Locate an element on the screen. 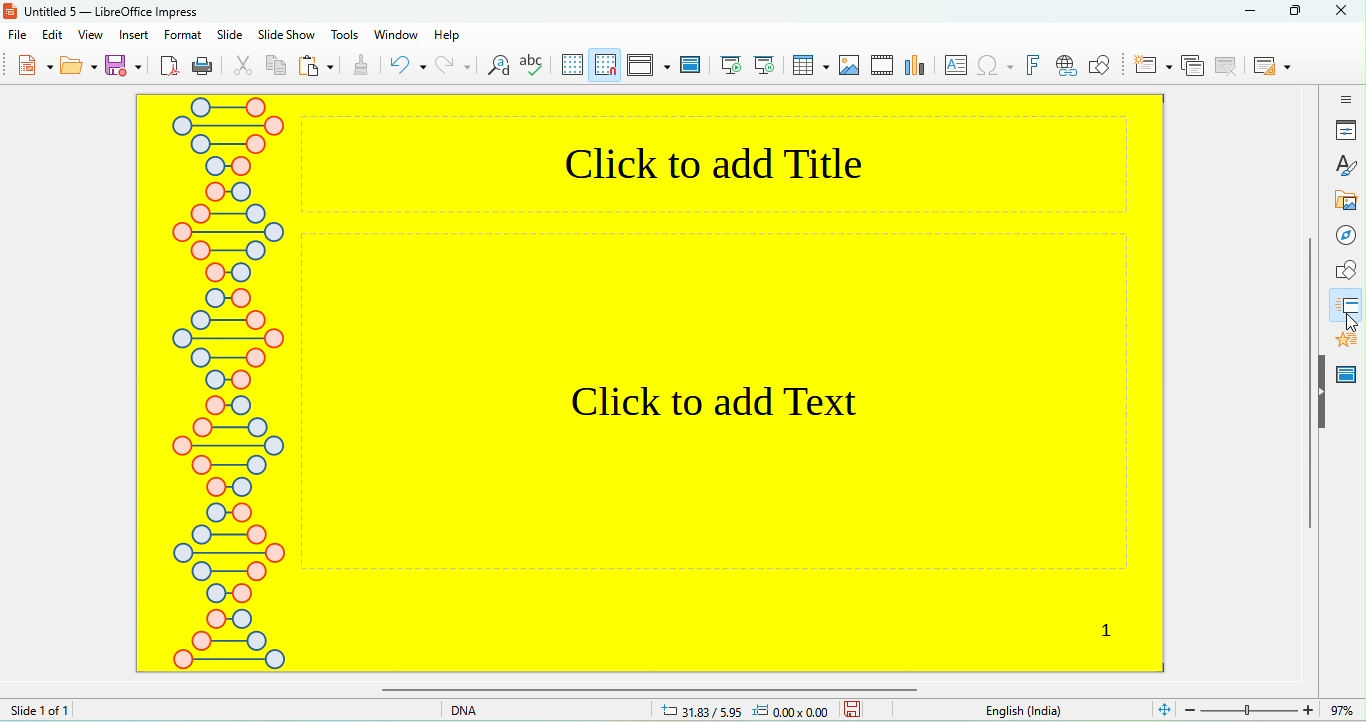 The image size is (1366, 722). save is located at coordinates (126, 65).